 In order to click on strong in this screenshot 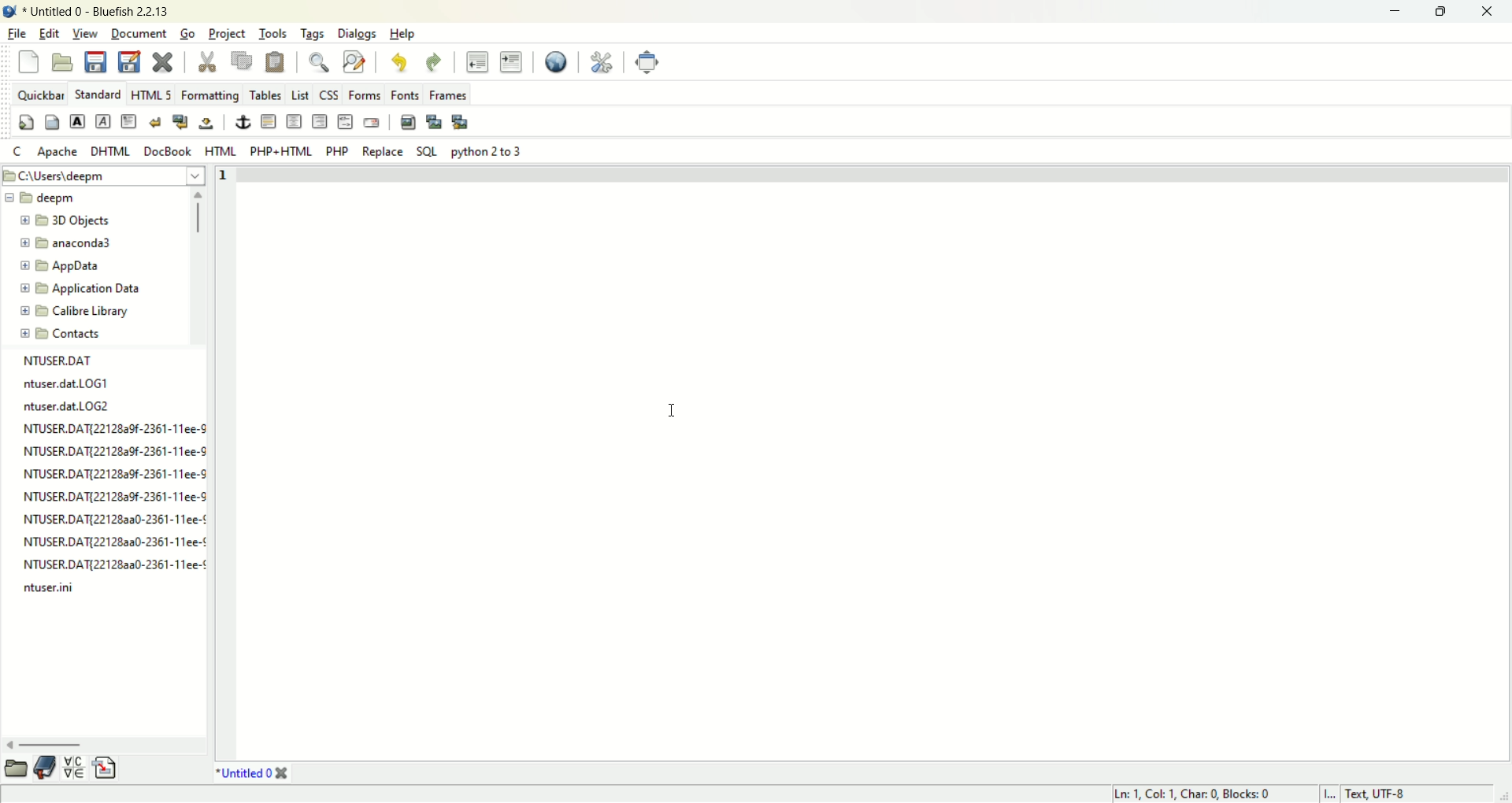, I will do `click(77, 120)`.